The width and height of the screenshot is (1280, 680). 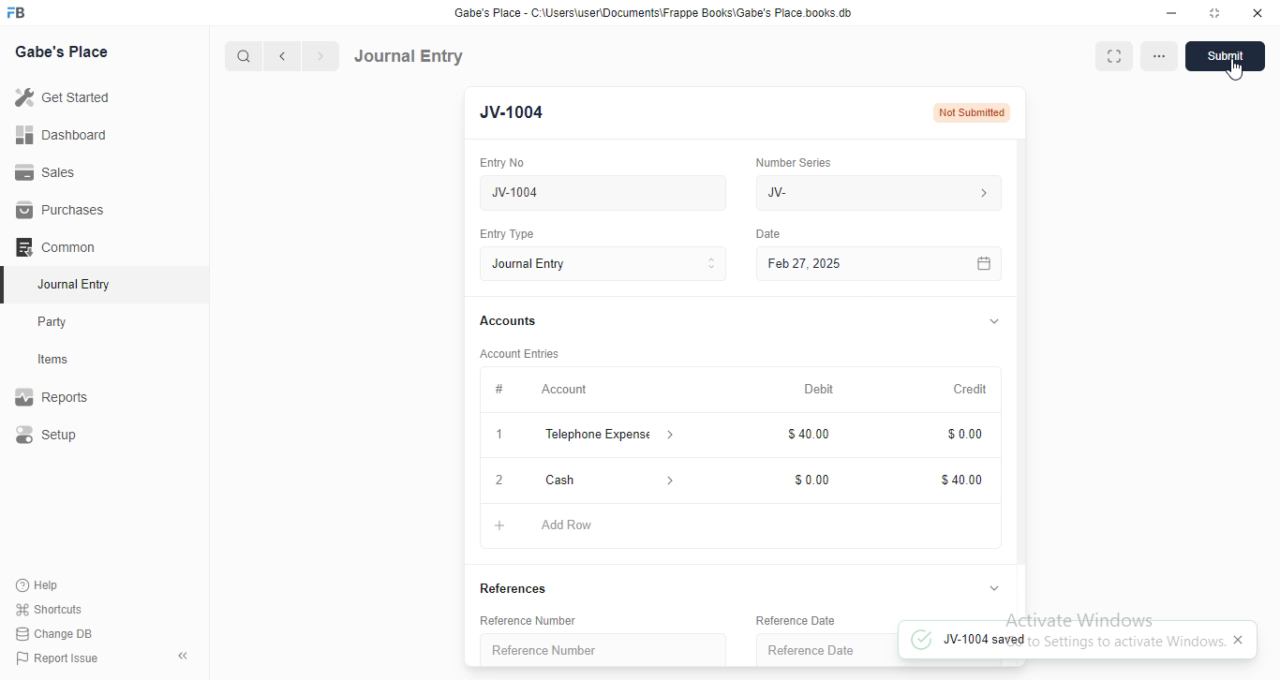 What do you see at coordinates (543, 650) in the screenshot?
I see `‘Reference Number` at bounding box center [543, 650].